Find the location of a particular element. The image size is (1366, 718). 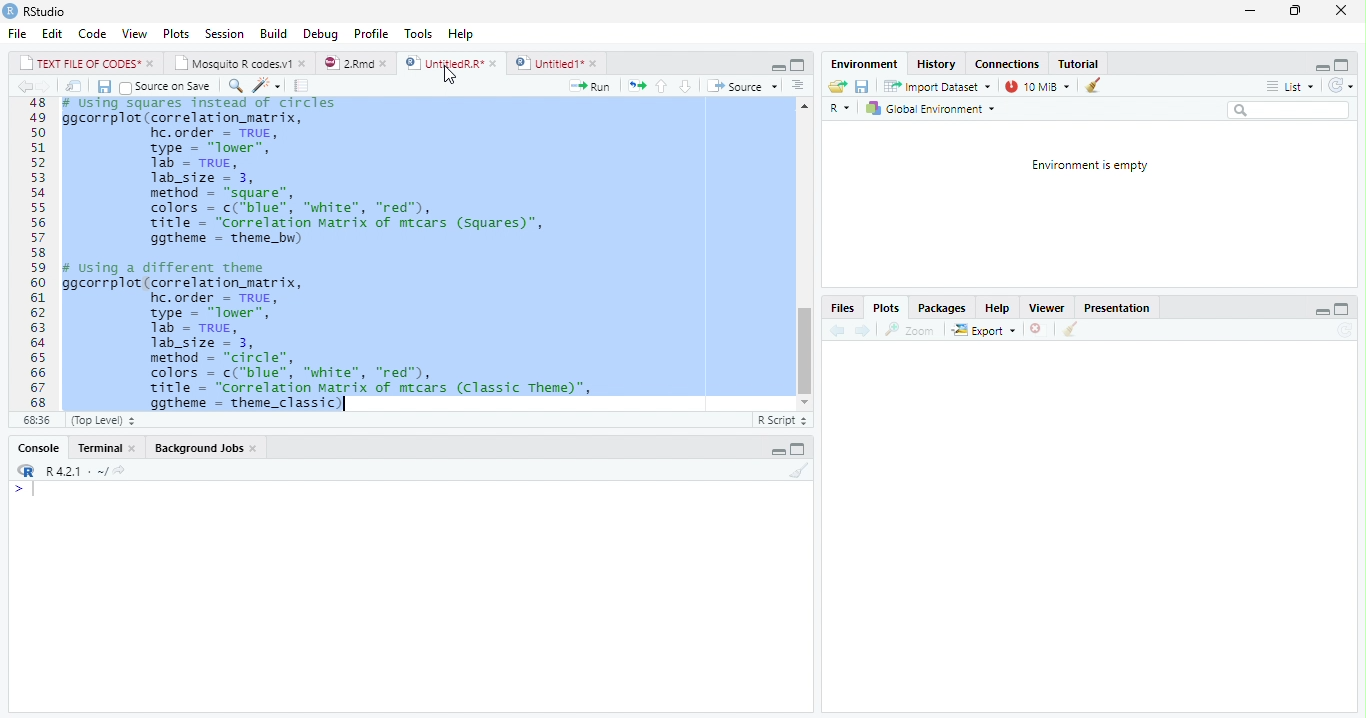

clear history is located at coordinates (1091, 86).